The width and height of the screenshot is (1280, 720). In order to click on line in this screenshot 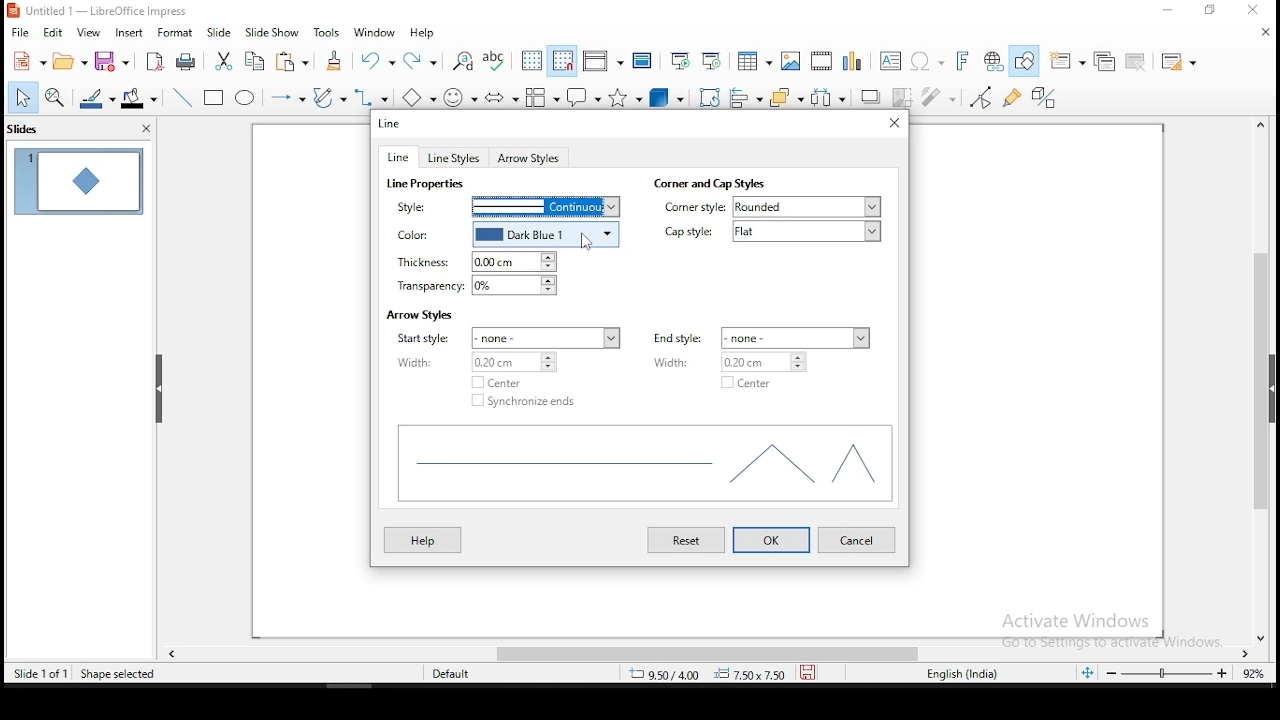, I will do `click(183, 97)`.